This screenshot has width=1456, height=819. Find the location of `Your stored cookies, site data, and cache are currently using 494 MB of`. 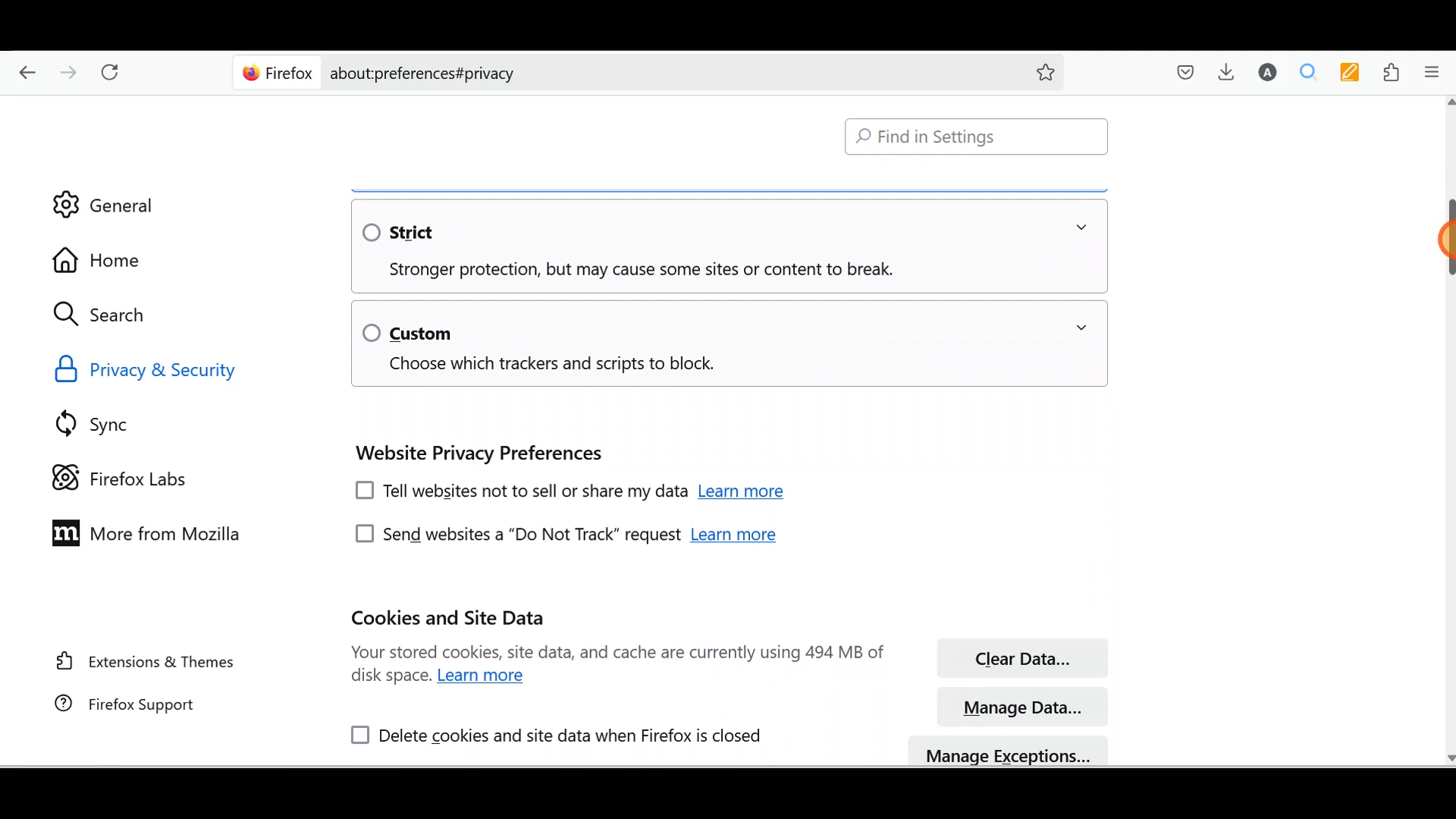

Your stored cookies, site data, and cache are currently using 494 MB of is located at coordinates (617, 651).